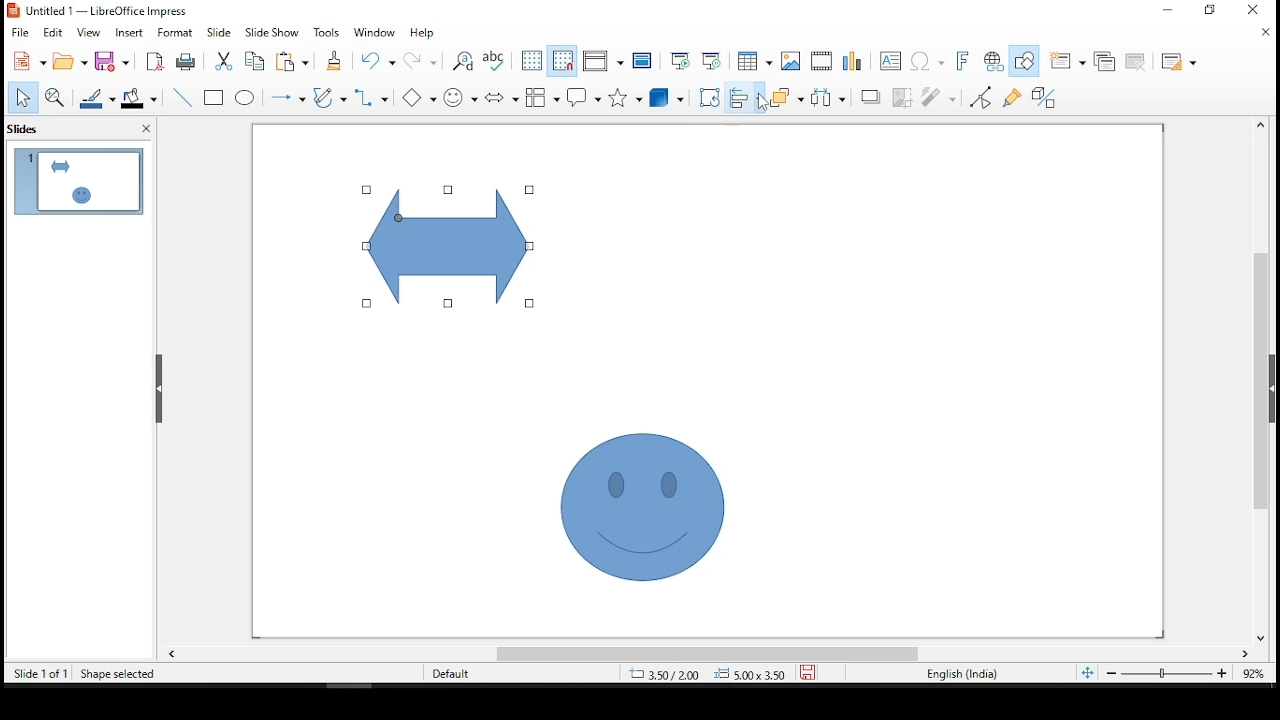  I want to click on export as pdf, so click(154, 62).